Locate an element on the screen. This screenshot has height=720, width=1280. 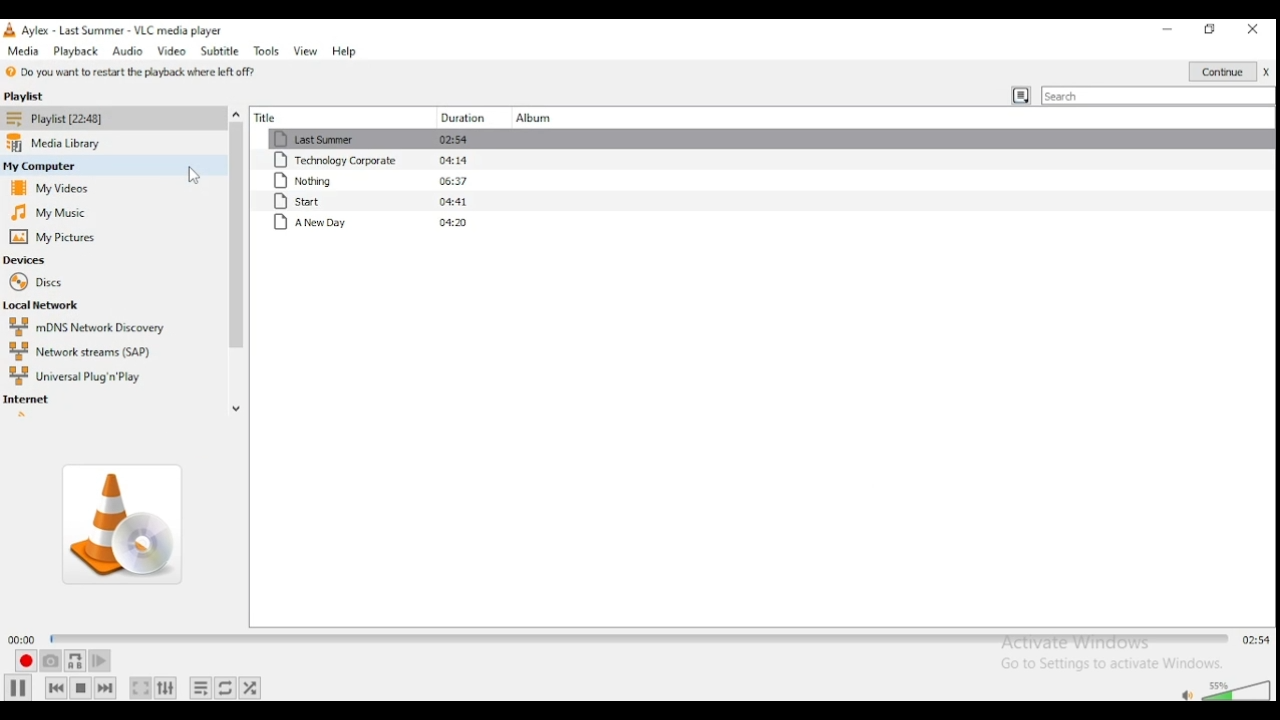
continue is located at coordinates (1231, 70).